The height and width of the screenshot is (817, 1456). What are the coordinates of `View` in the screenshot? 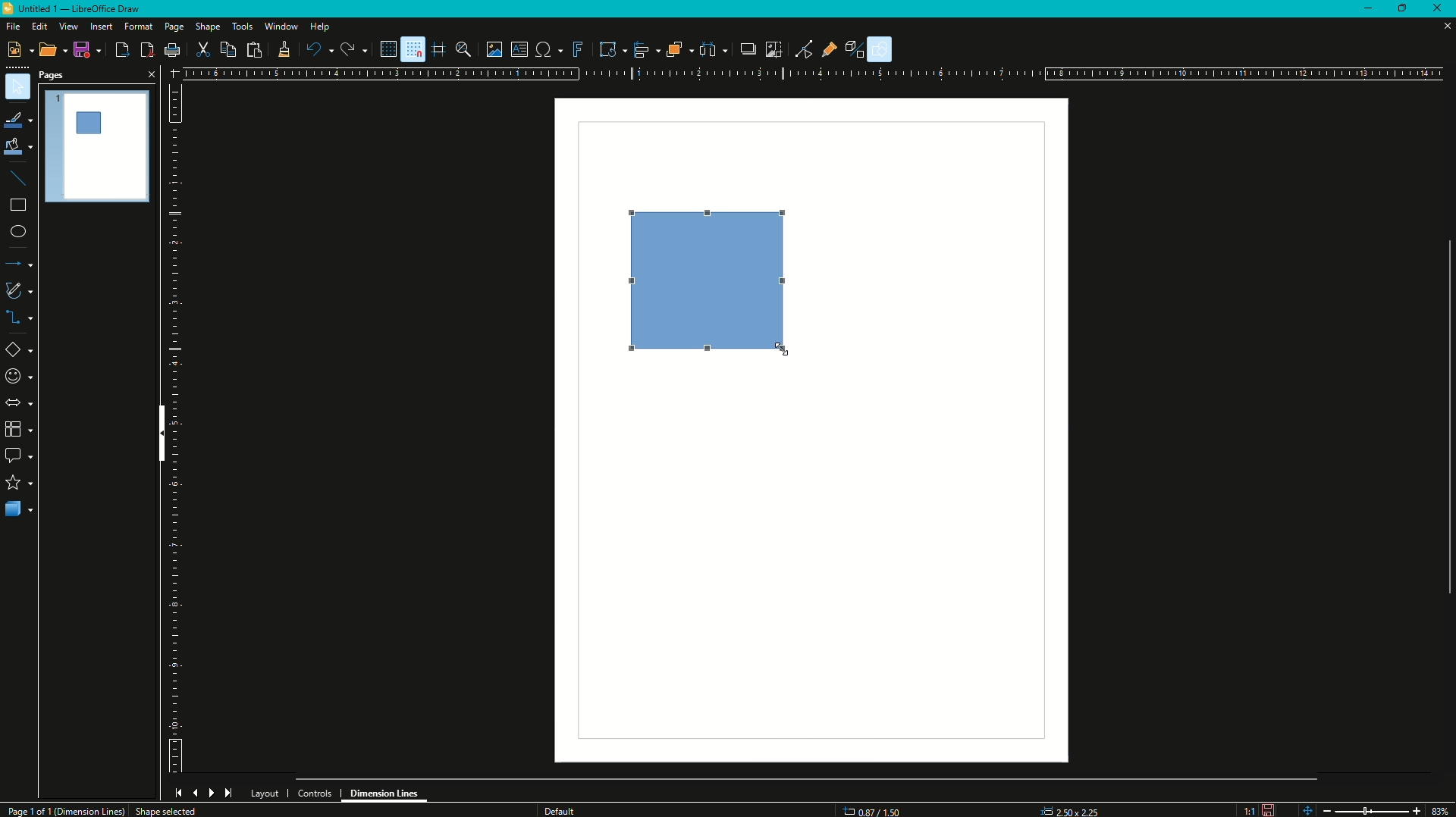 It's located at (67, 27).